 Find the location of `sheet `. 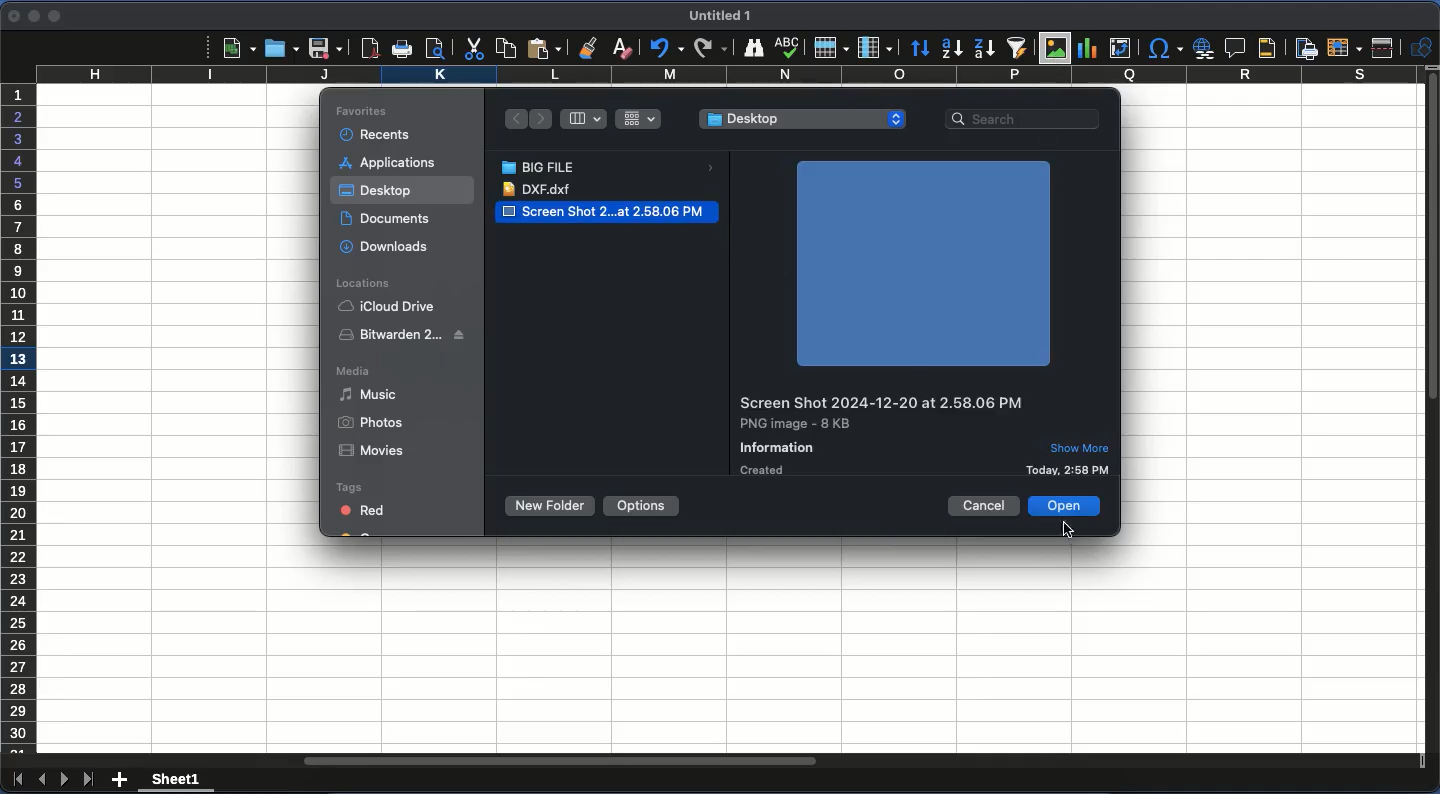

sheet  is located at coordinates (176, 782).